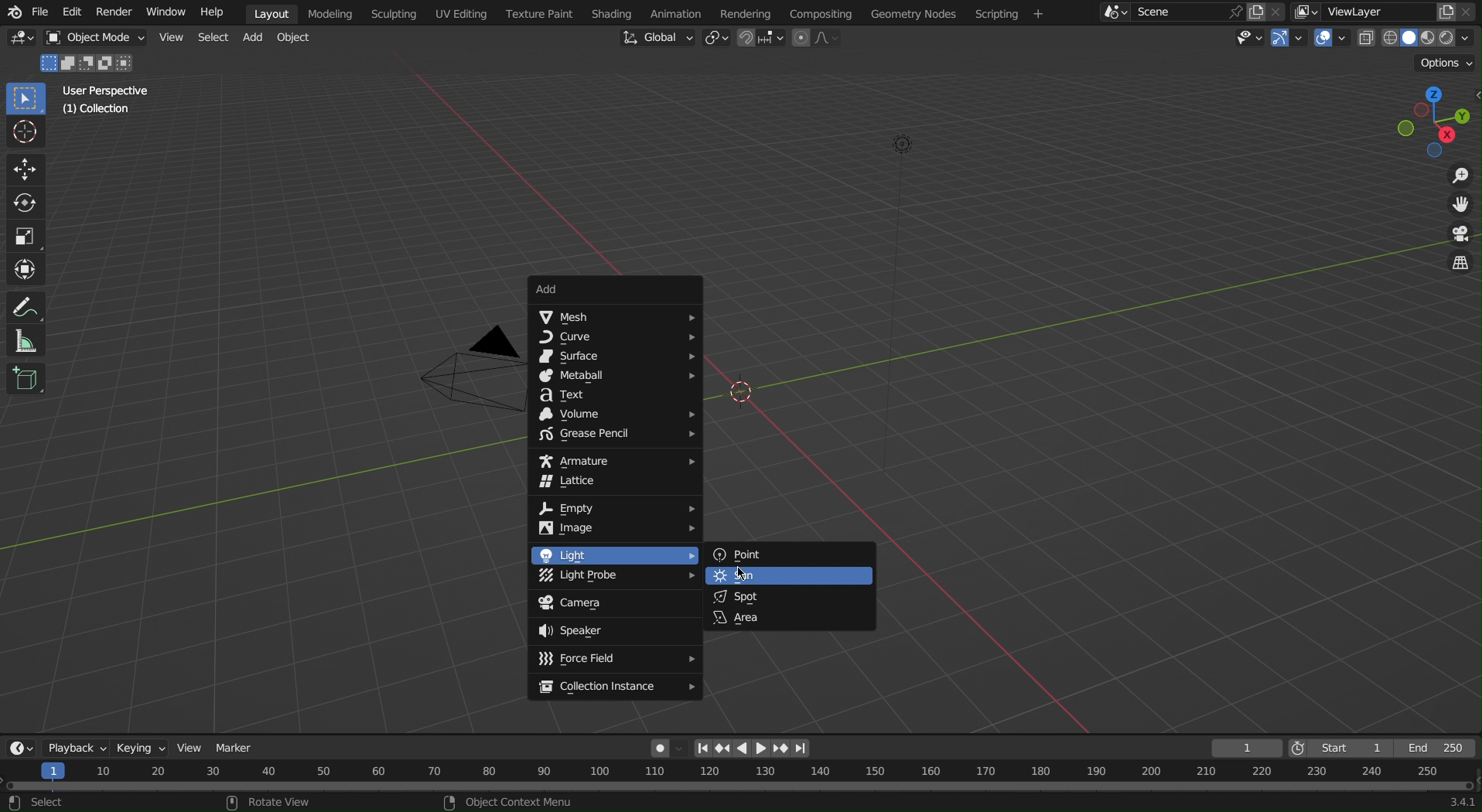  I want to click on Collection Instance, so click(616, 688).